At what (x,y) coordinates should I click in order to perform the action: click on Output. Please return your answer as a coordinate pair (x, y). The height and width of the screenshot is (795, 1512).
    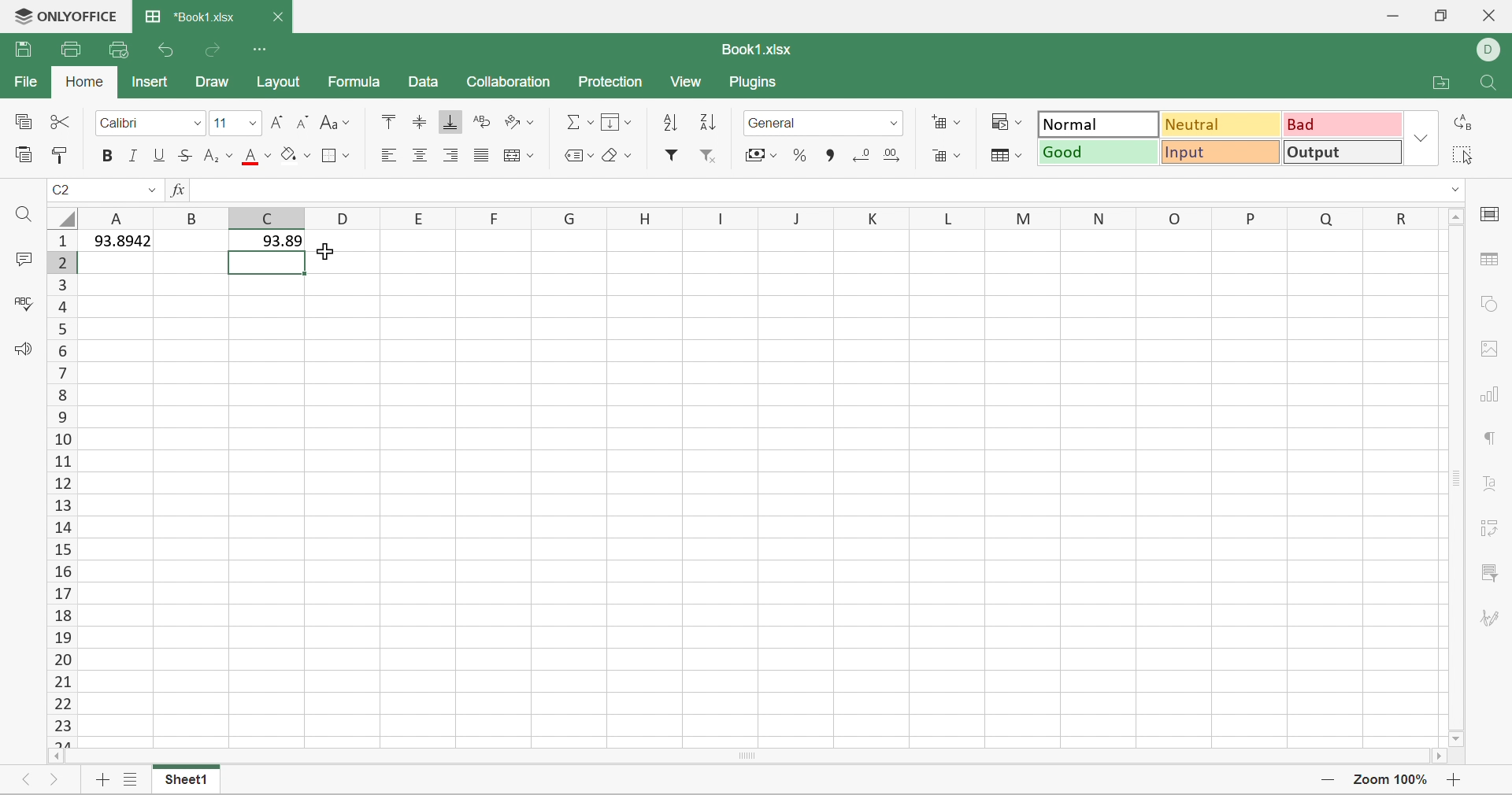
    Looking at the image, I should click on (1342, 152).